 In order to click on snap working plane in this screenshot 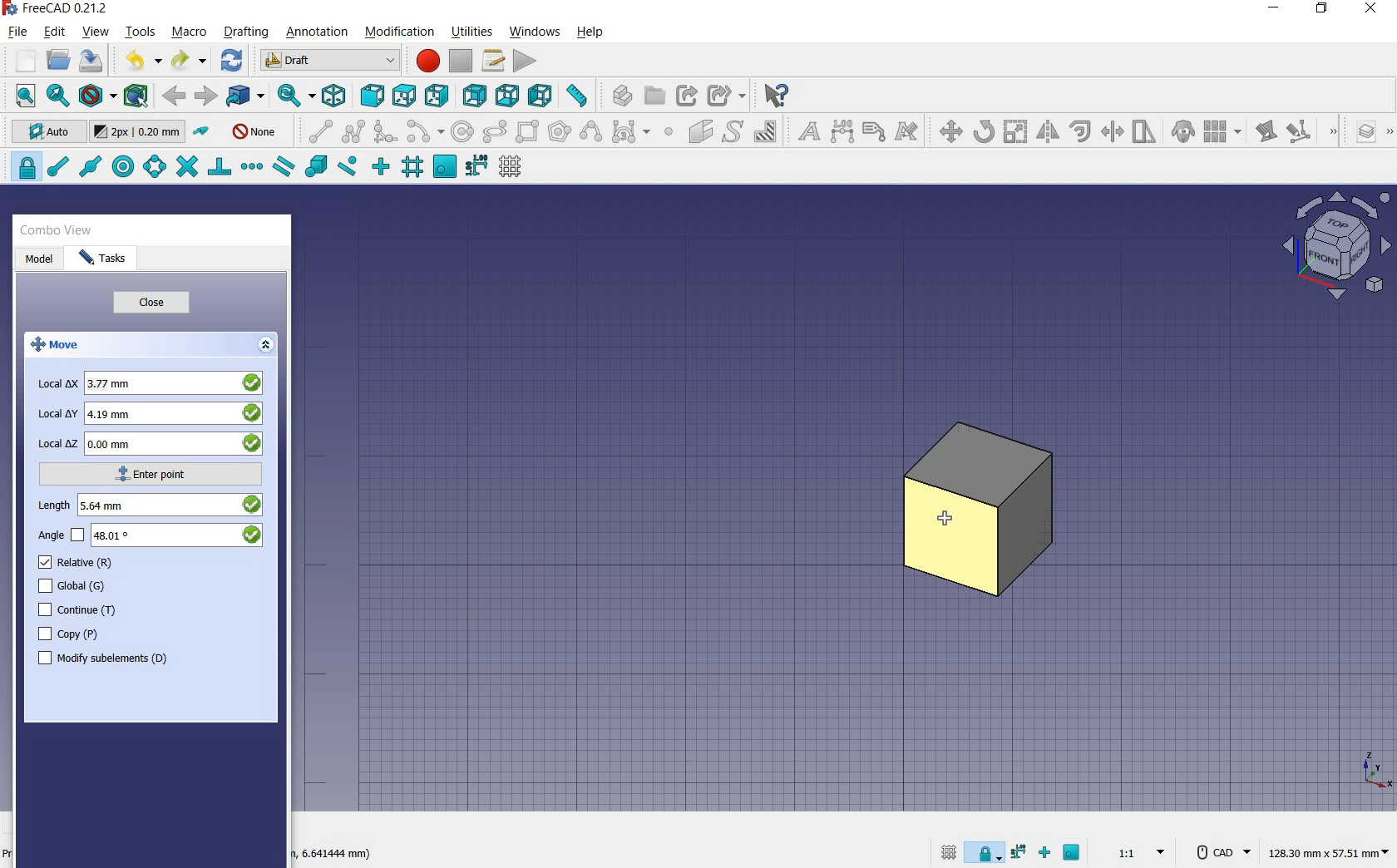, I will do `click(446, 167)`.